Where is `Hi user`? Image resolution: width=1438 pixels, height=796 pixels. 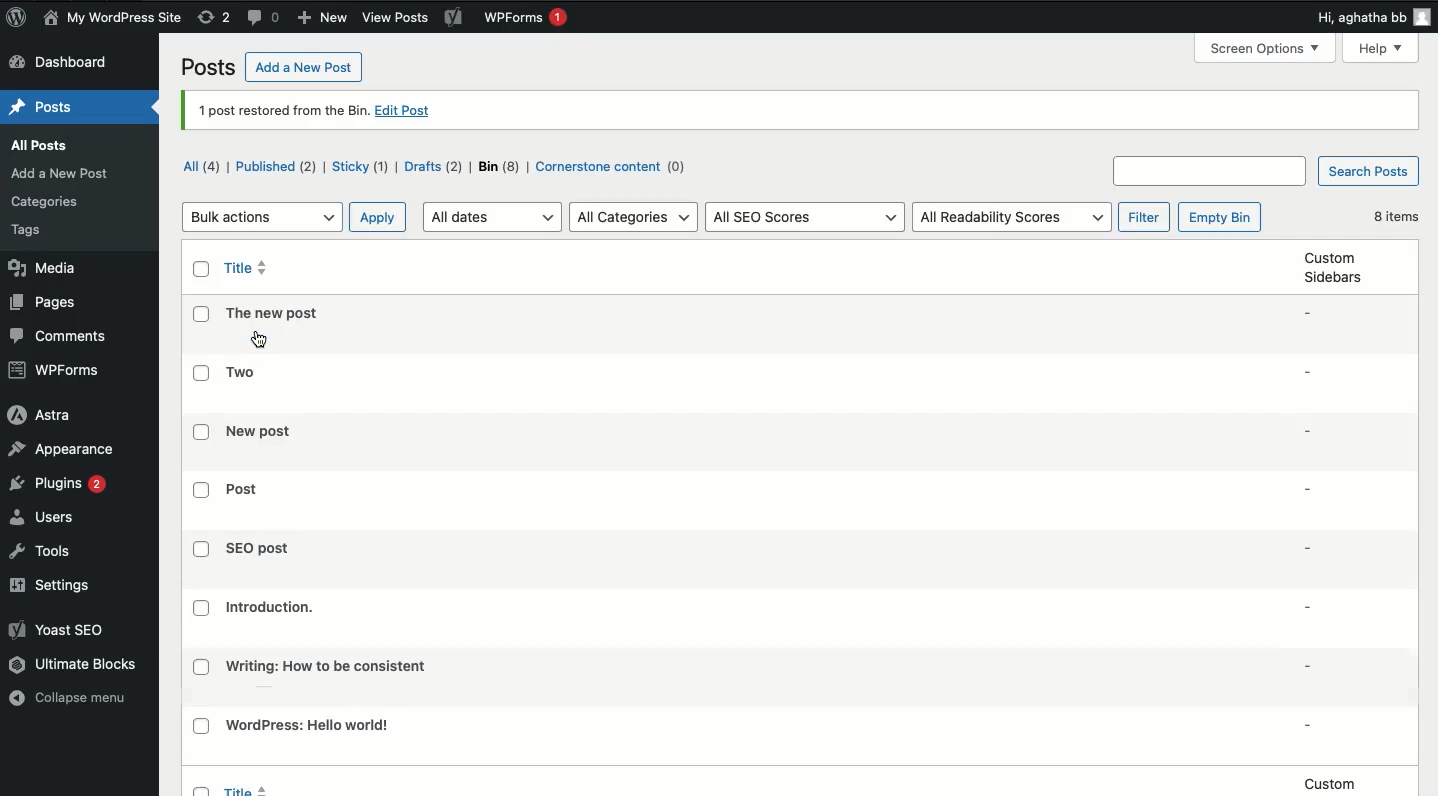
Hi user is located at coordinates (1373, 17).